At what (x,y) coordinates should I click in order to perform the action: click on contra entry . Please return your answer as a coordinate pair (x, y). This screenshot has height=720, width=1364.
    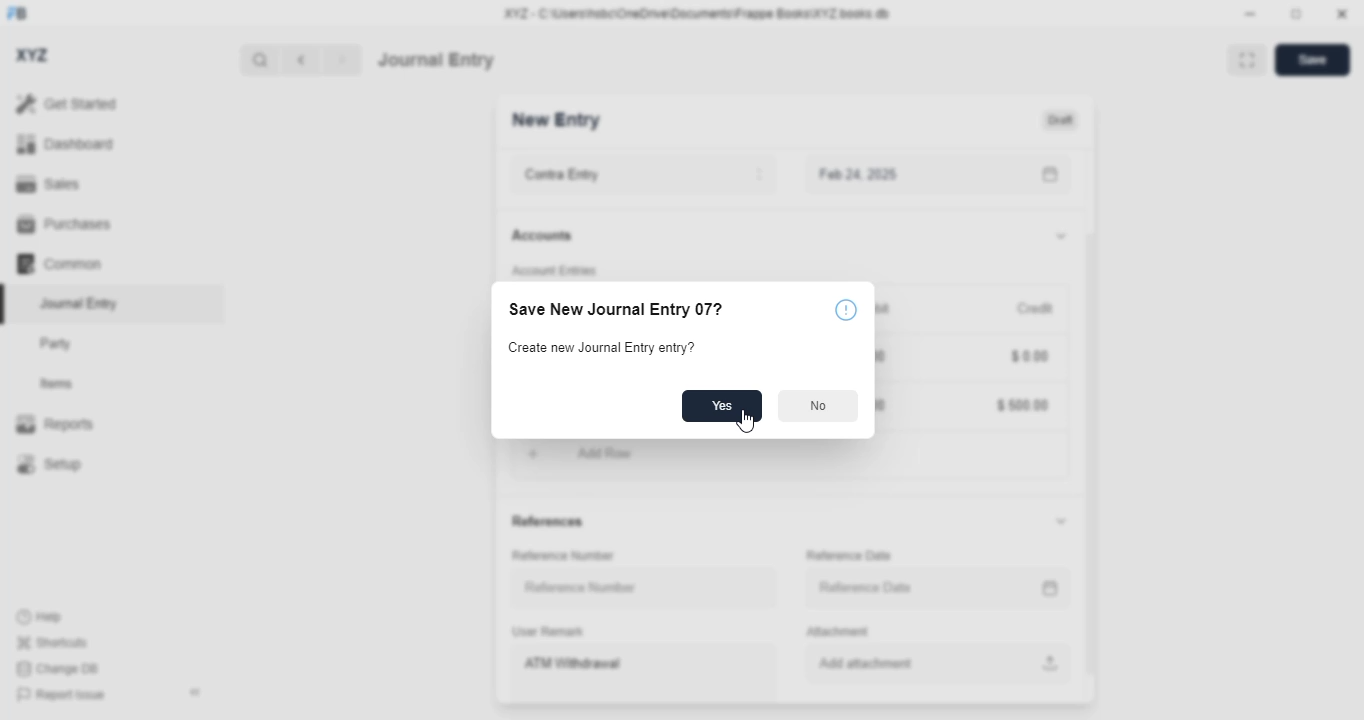
    Looking at the image, I should click on (643, 175).